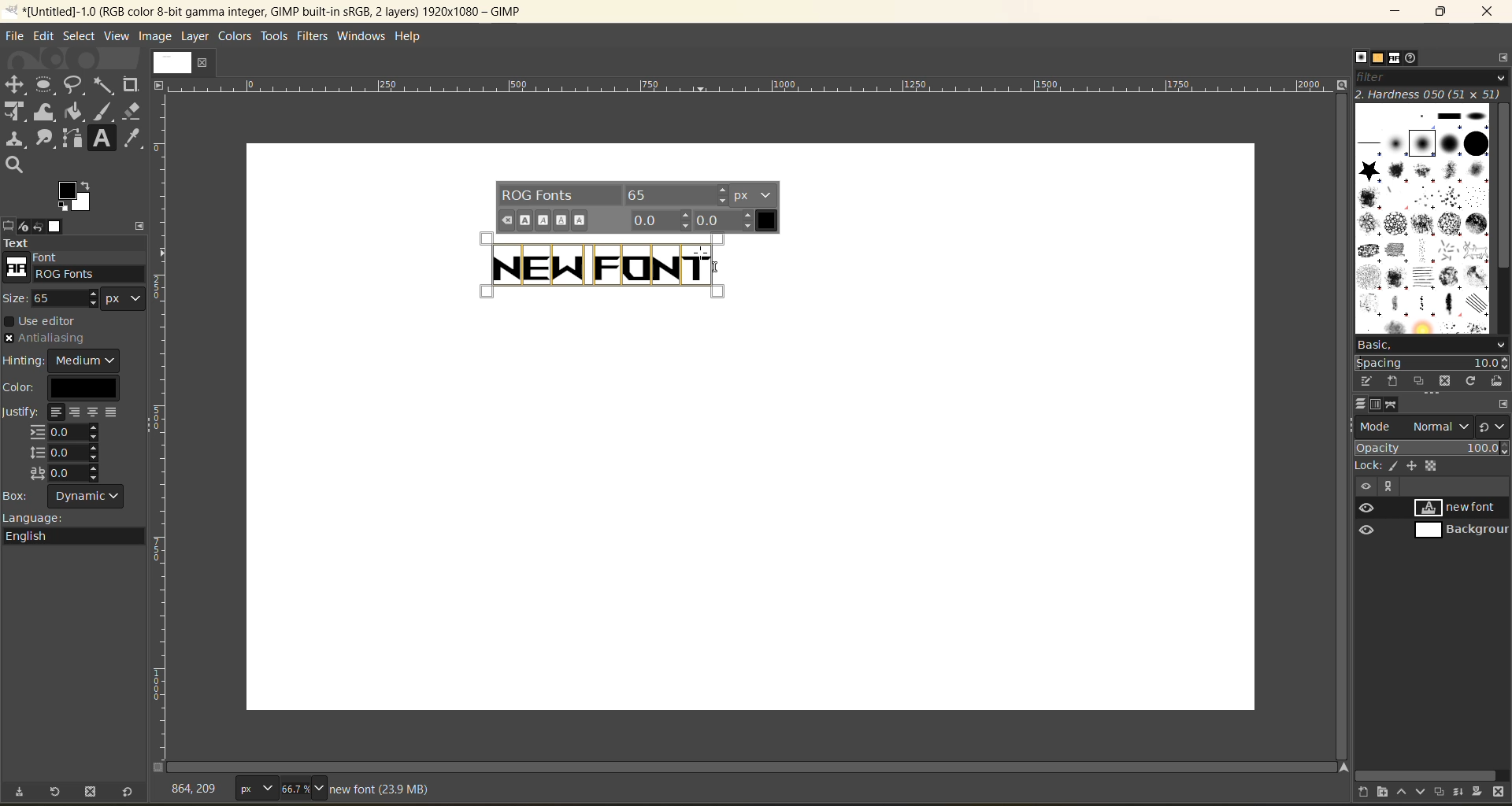  What do you see at coordinates (1366, 791) in the screenshot?
I see `create a new layer` at bounding box center [1366, 791].